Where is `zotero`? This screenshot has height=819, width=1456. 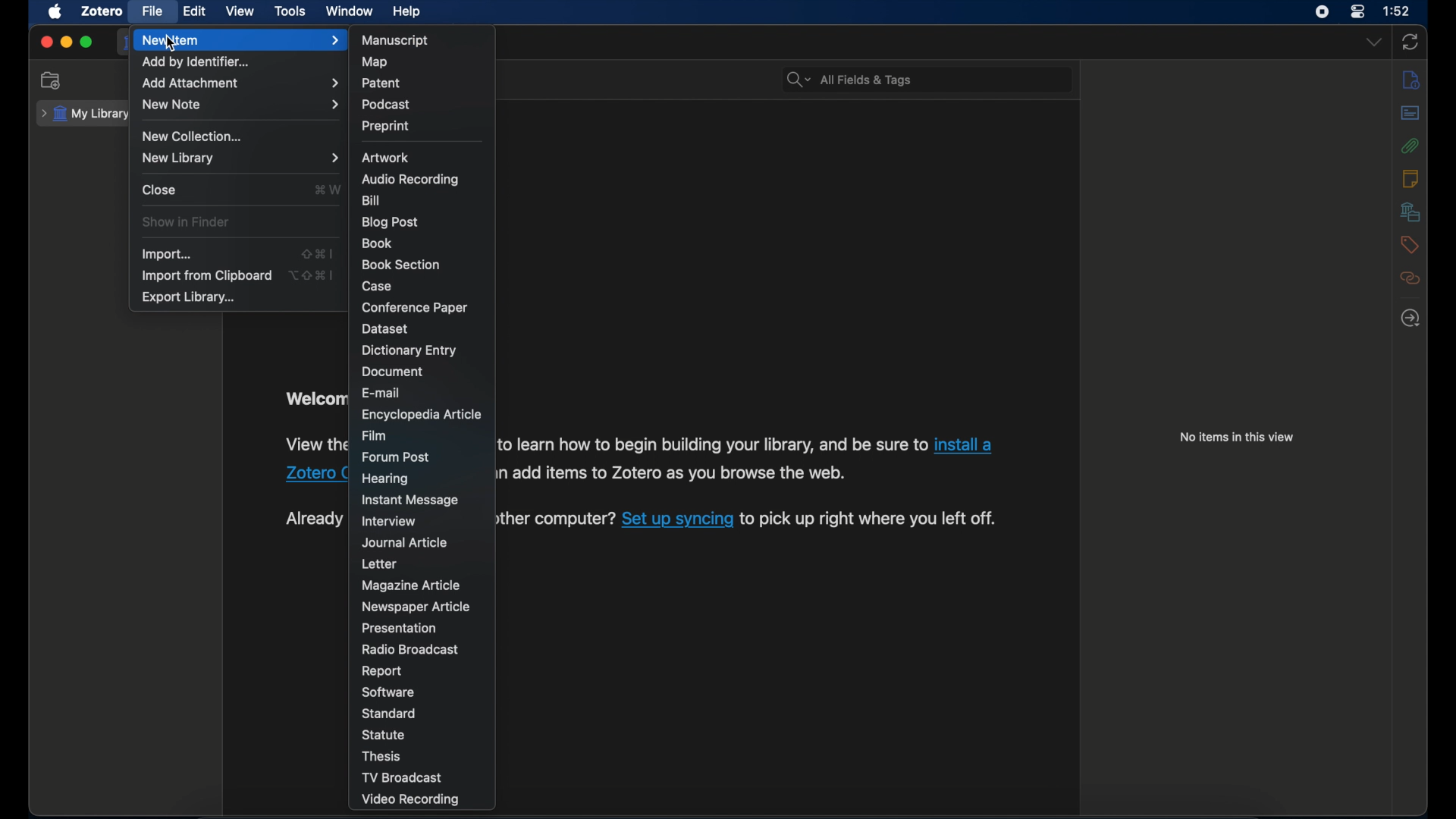
zotero is located at coordinates (103, 11).